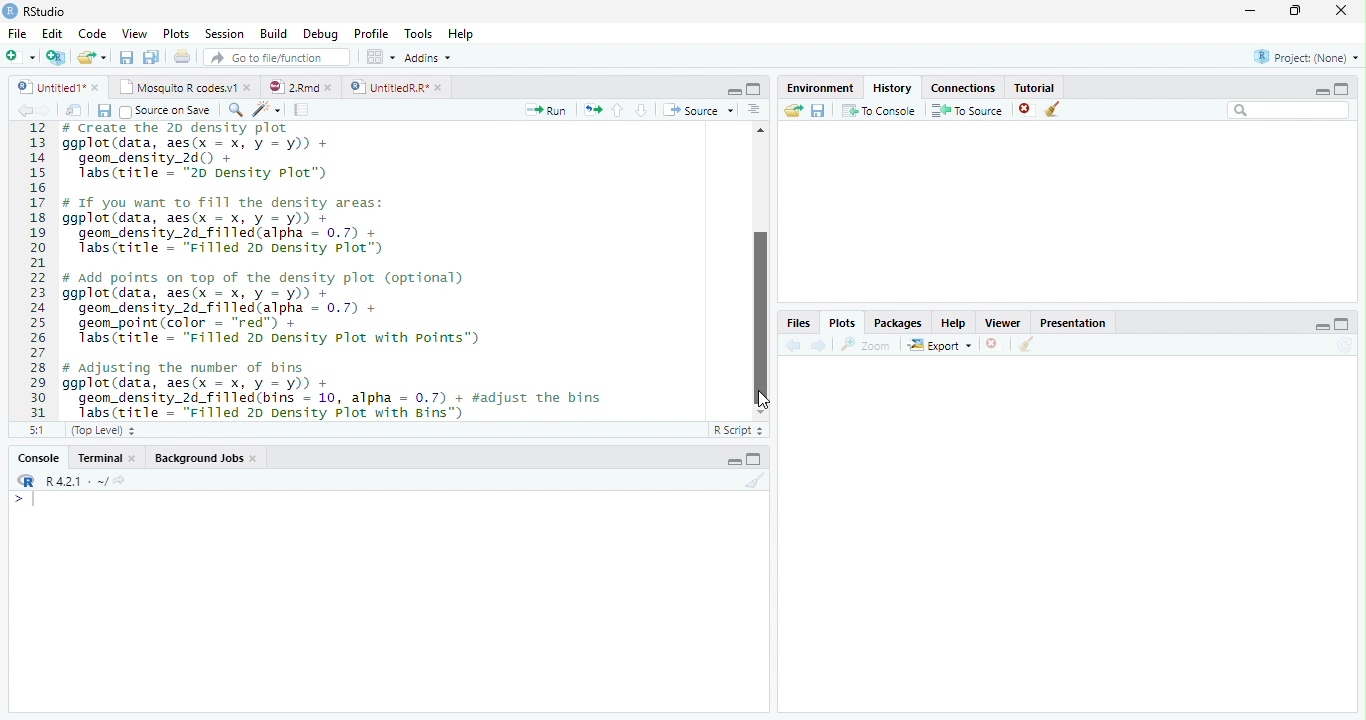 The image size is (1366, 720). Describe the element at coordinates (618, 110) in the screenshot. I see `up` at that location.